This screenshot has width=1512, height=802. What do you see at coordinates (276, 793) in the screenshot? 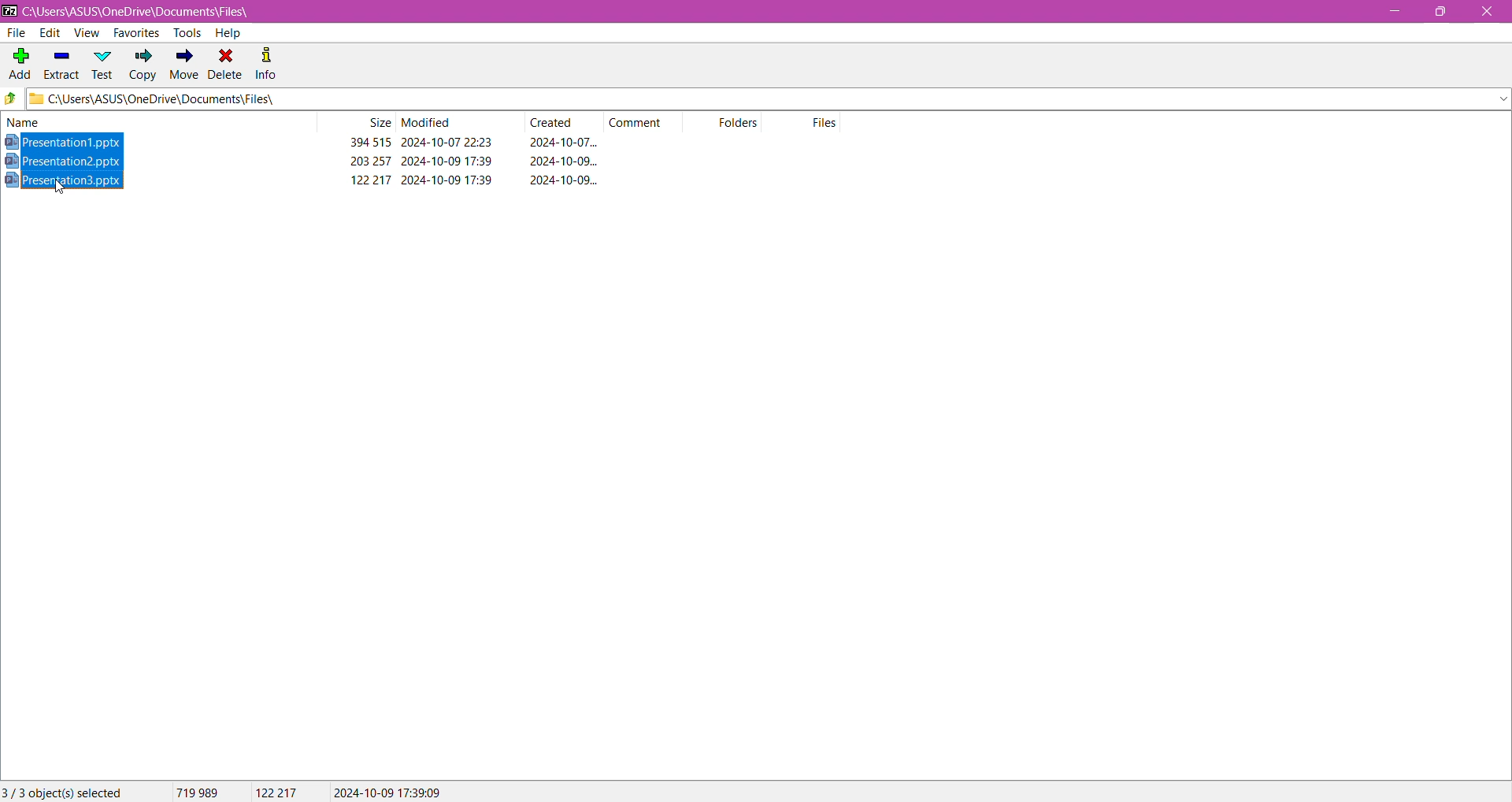
I see `122217` at bounding box center [276, 793].